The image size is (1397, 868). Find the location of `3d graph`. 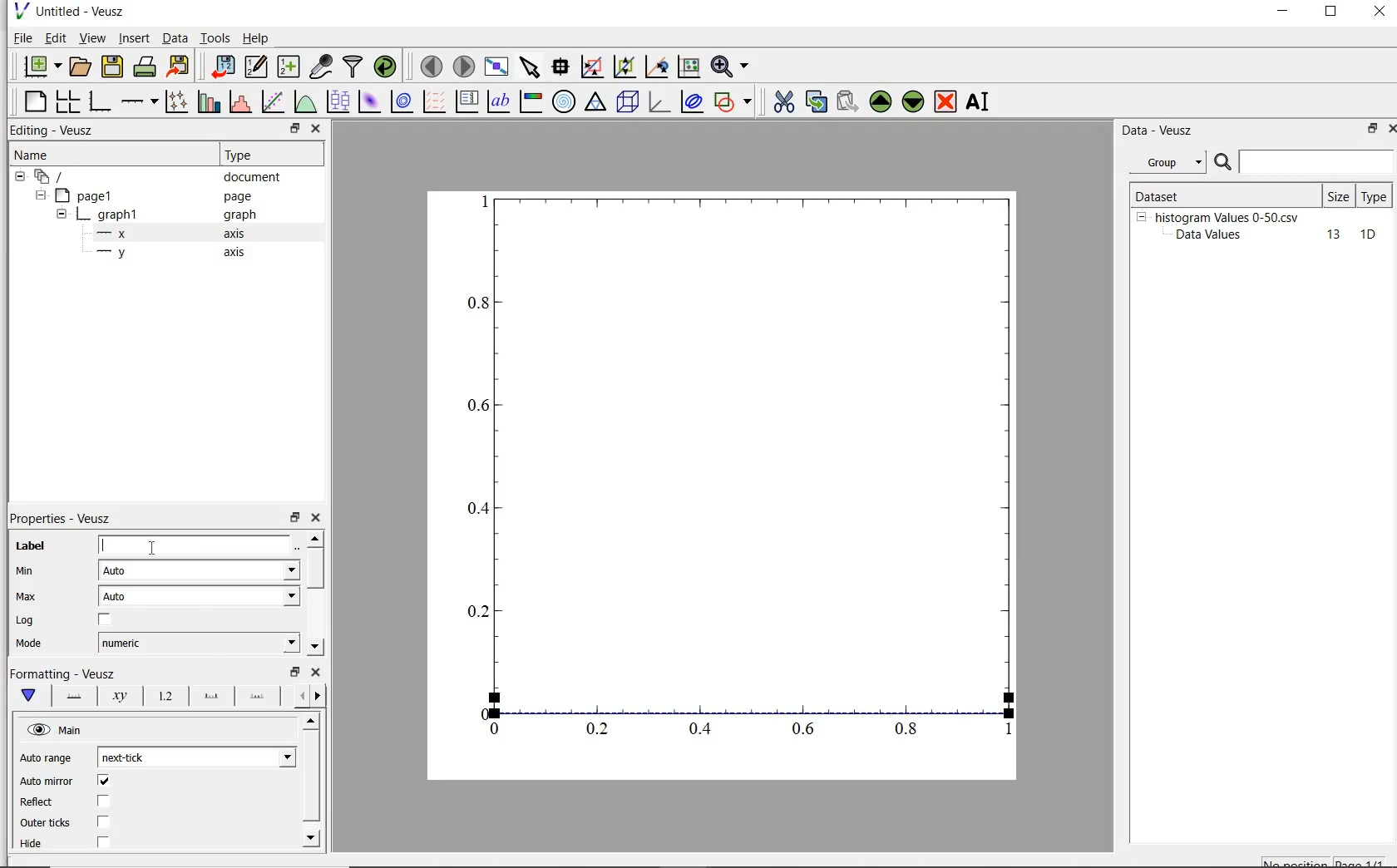

3d graph is located at coordinates (659, 102).